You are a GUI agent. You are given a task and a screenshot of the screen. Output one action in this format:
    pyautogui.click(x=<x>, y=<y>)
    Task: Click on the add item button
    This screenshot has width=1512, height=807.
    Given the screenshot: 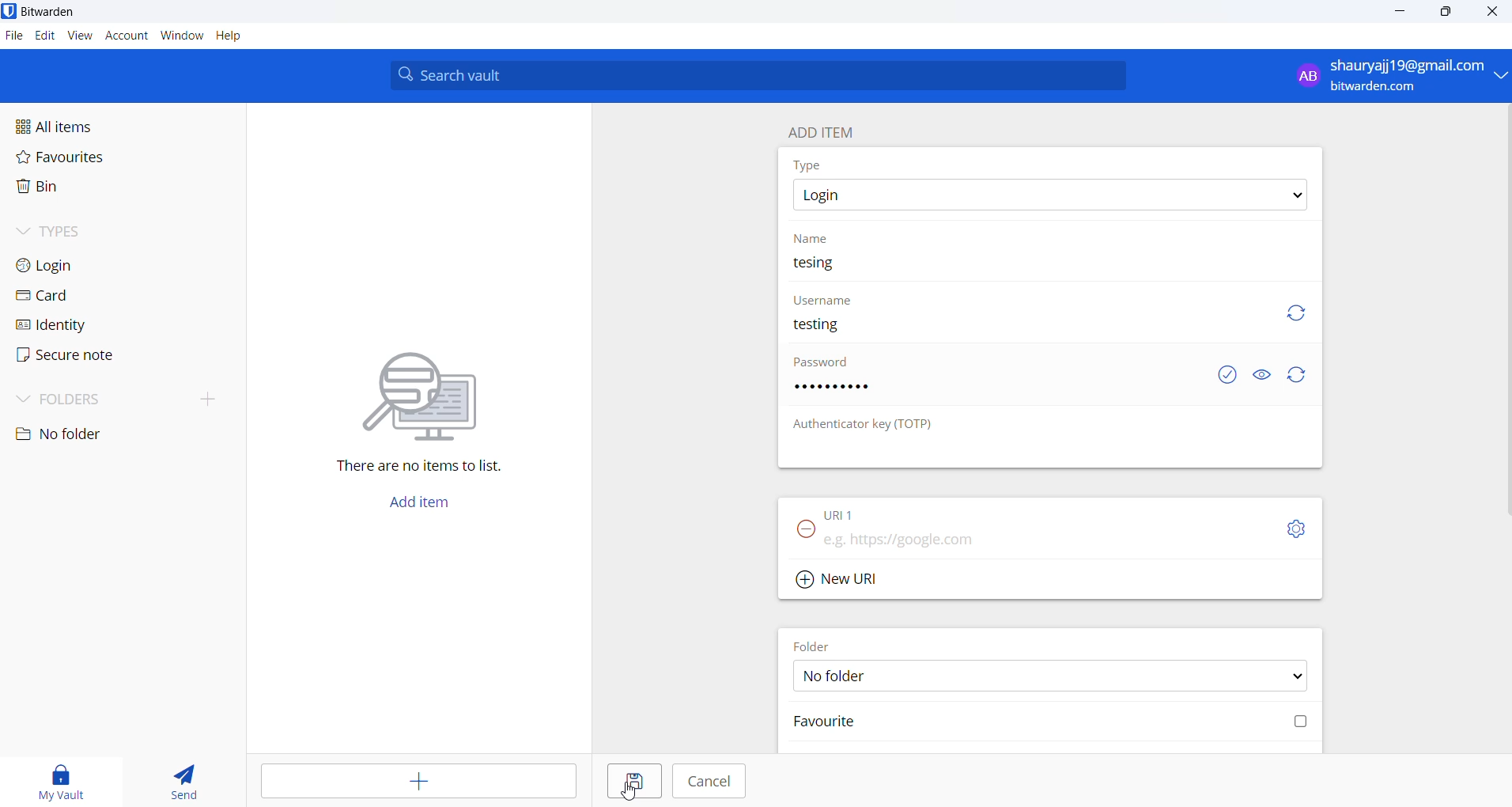 What is the action you would take?
    pyautogui.click(x=428, y=506)
    